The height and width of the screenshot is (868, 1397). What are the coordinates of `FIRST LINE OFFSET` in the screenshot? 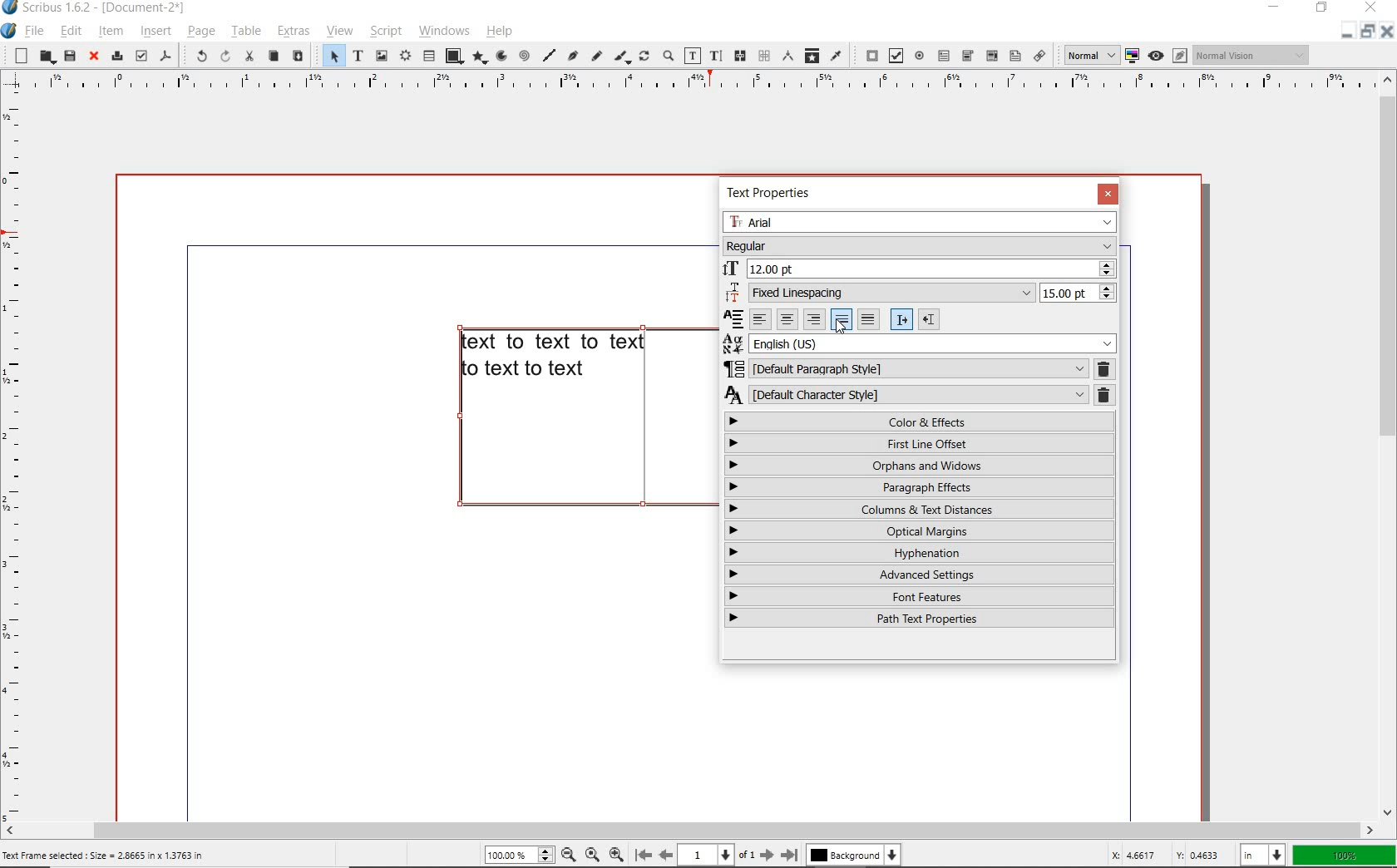 It's located at (919, 442).